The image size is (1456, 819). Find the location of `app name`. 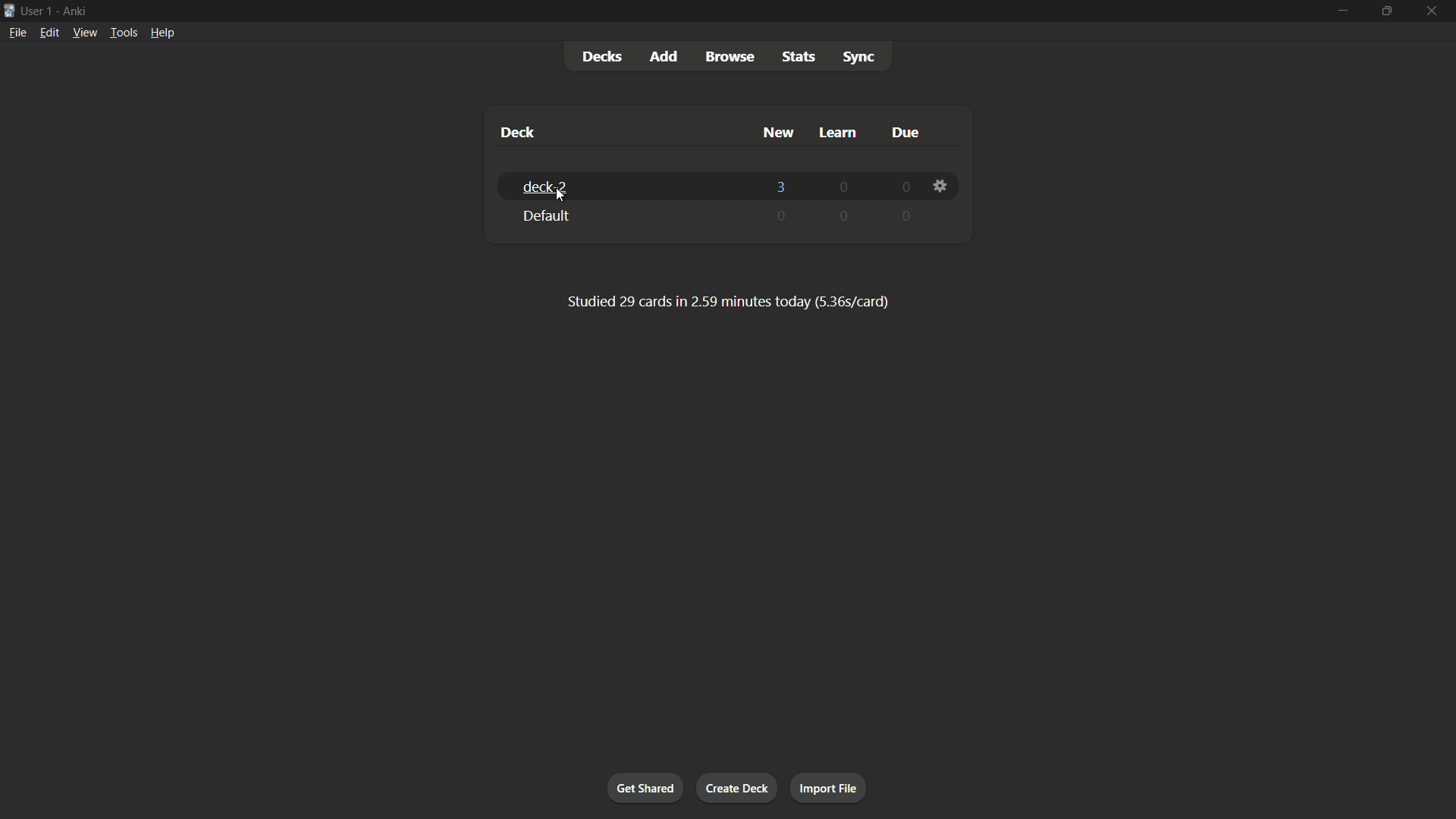

app name is located at coordinates (76, 12).